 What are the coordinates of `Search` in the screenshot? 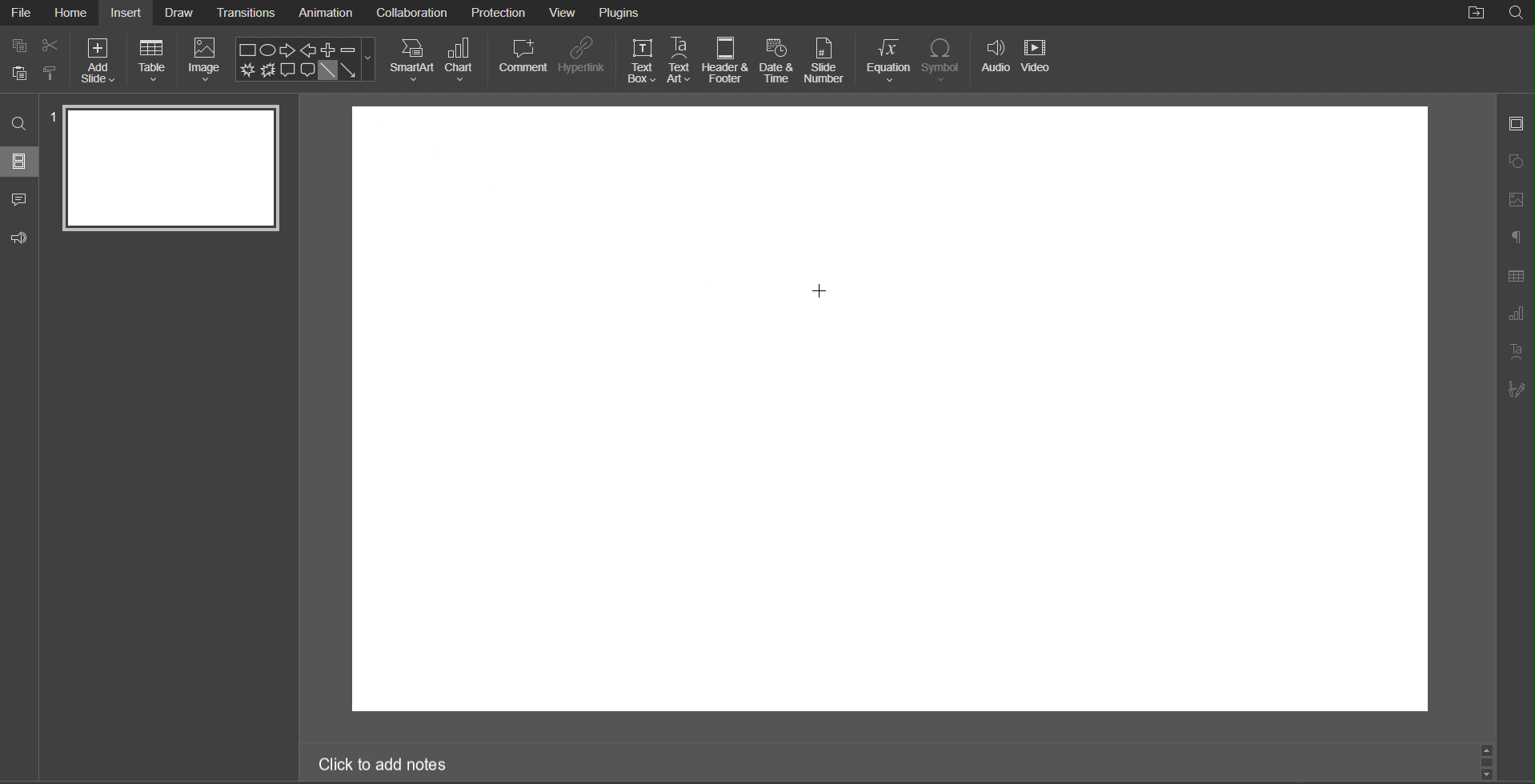 It's located at (20, 124).